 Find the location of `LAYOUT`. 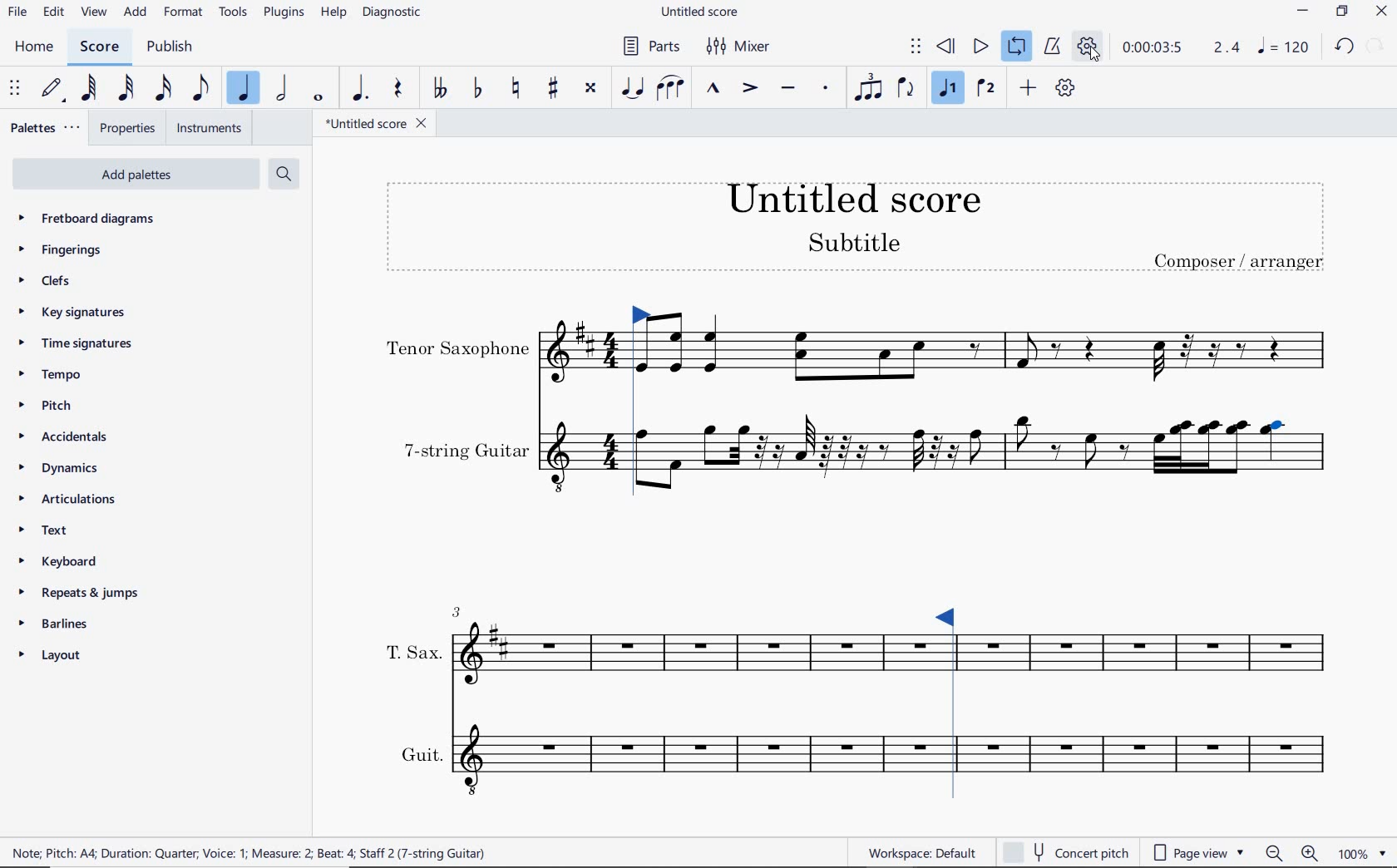

LAYOUT is located at coordinates (49, 657).